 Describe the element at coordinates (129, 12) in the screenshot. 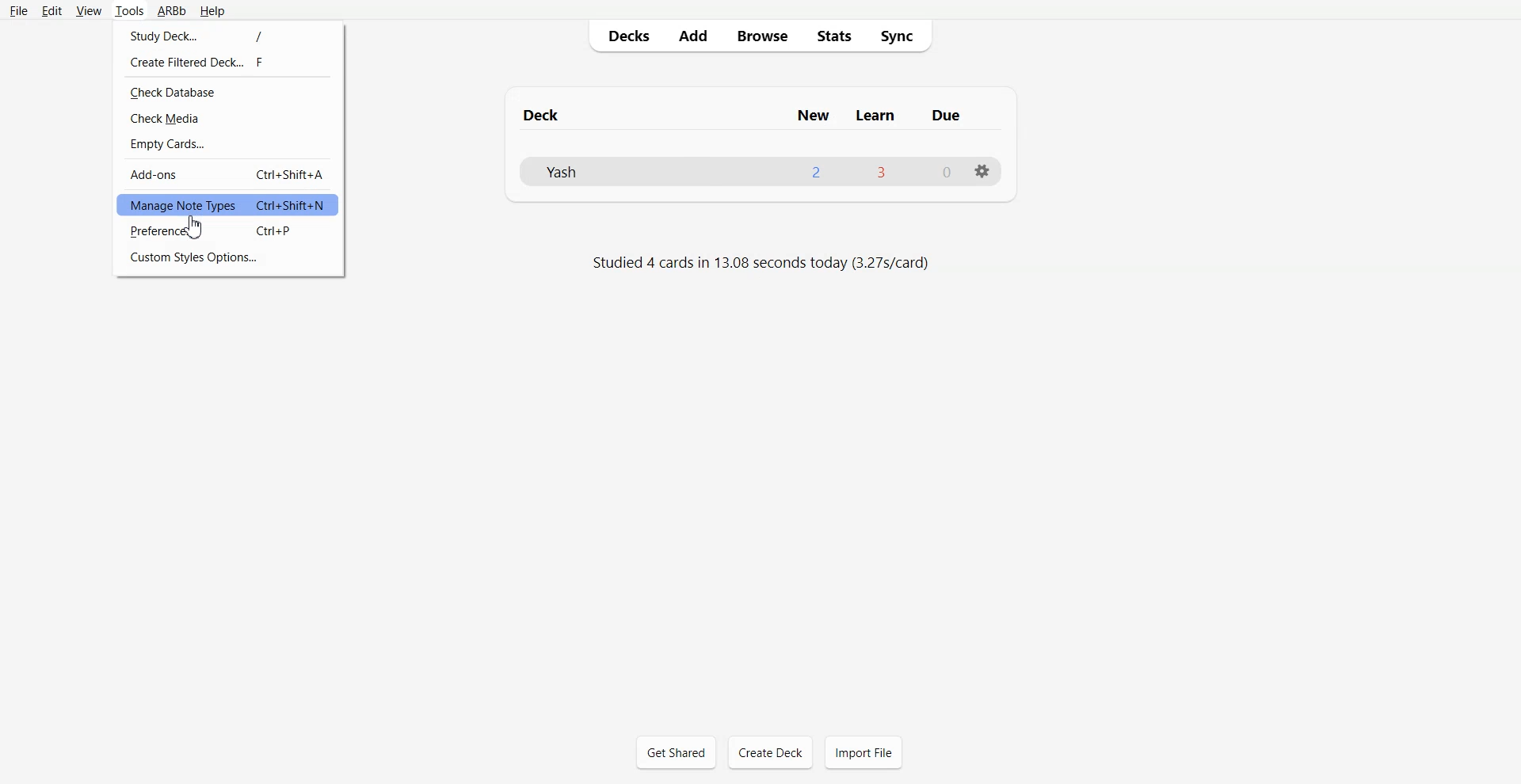

I see `Tools` at that location.